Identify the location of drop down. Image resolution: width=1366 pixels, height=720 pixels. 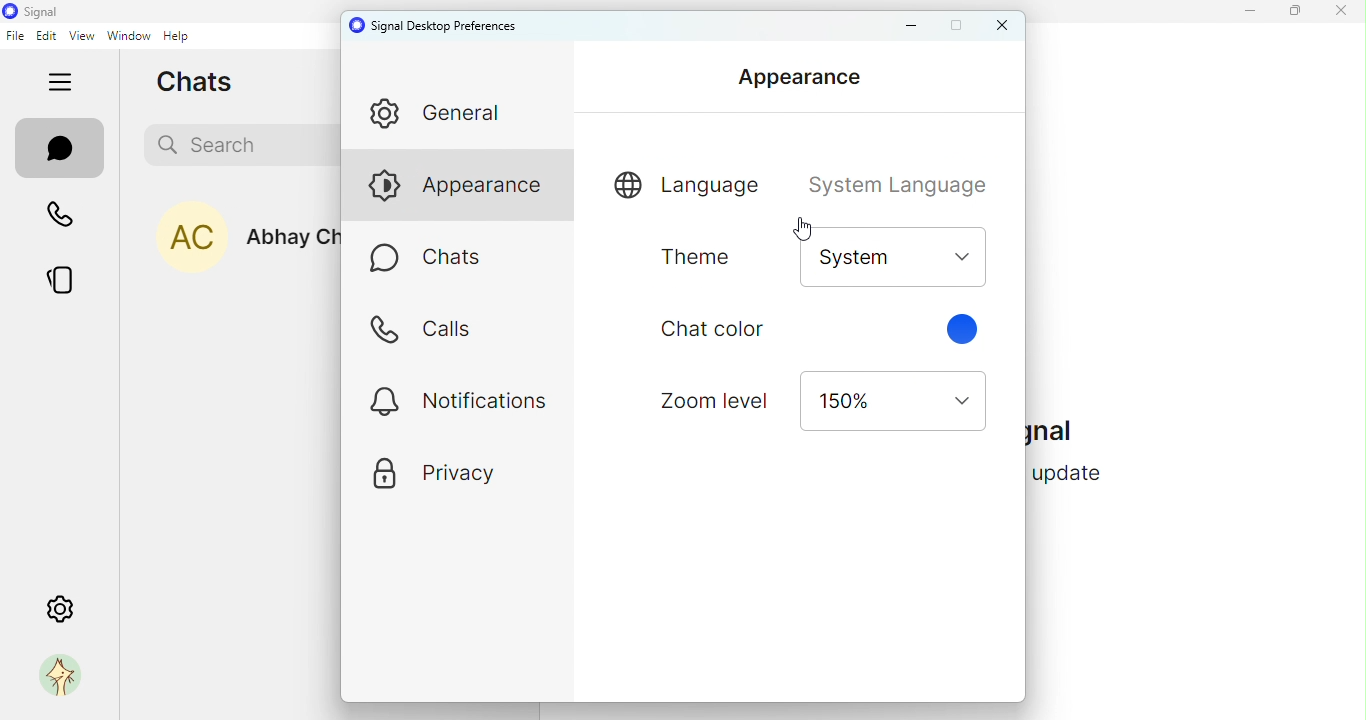
(892, 401).